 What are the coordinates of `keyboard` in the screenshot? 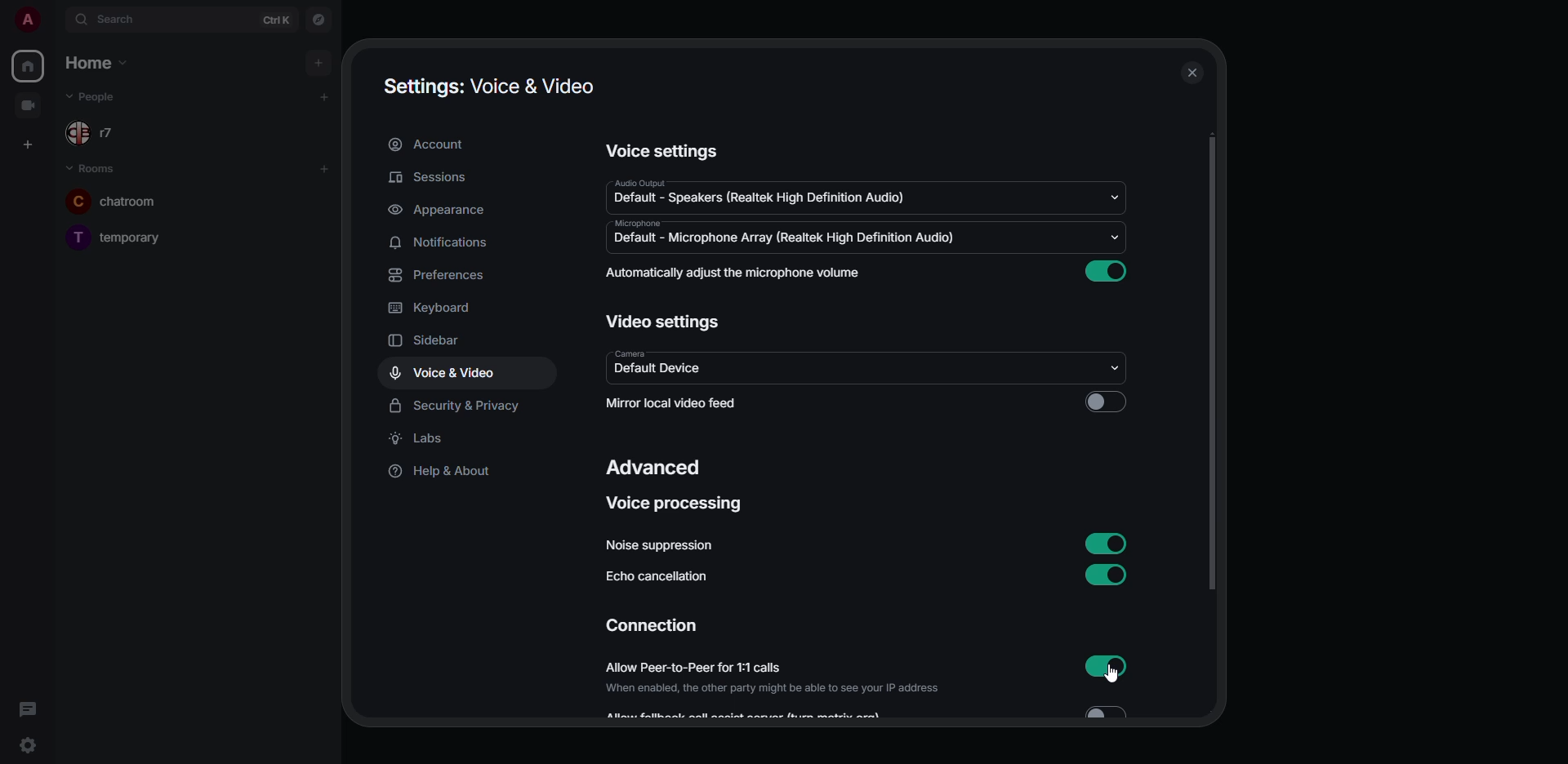 It's located at (434, 307).